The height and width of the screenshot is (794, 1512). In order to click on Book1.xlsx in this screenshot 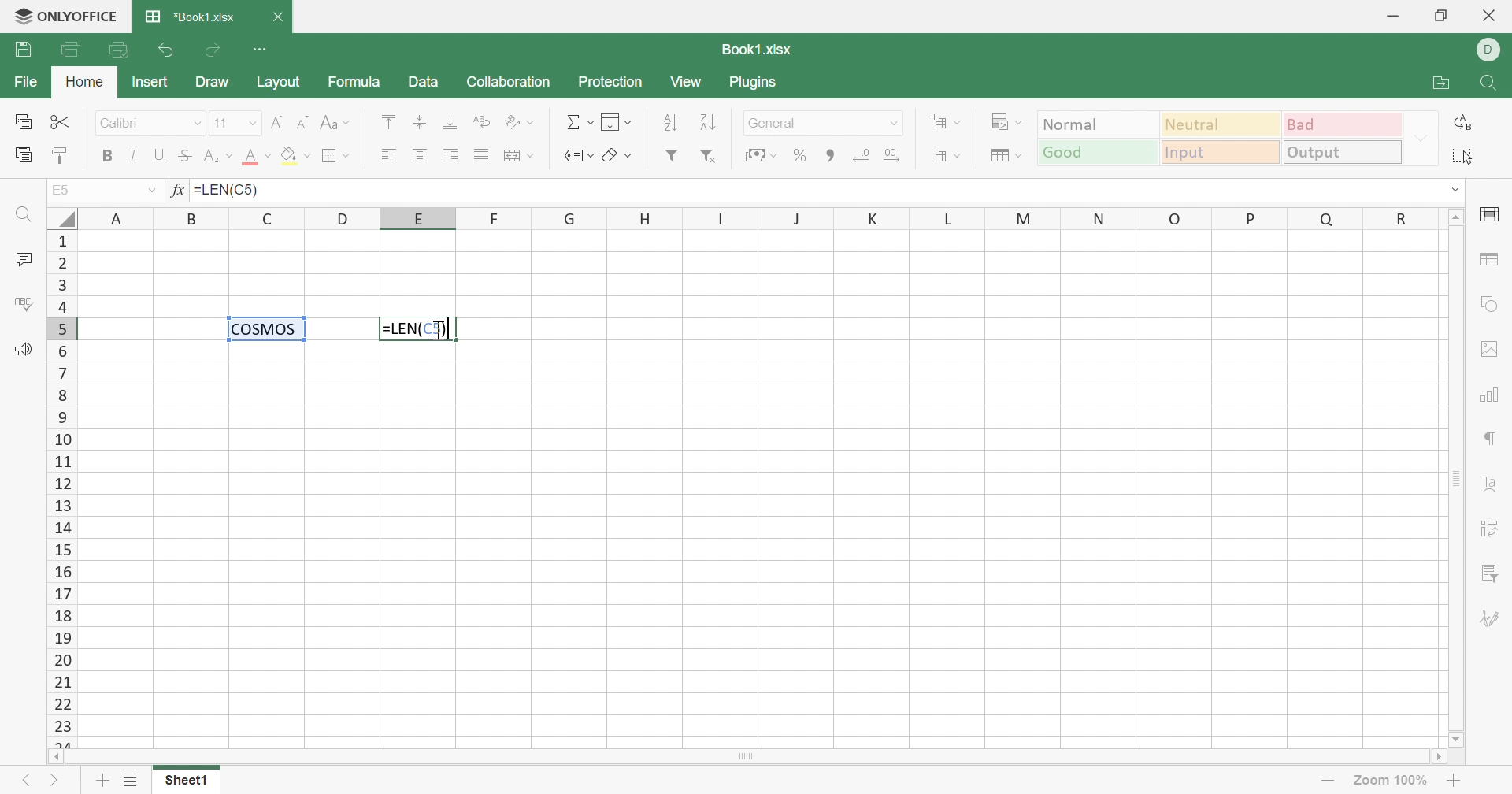, I will do `click(759, 49)`.